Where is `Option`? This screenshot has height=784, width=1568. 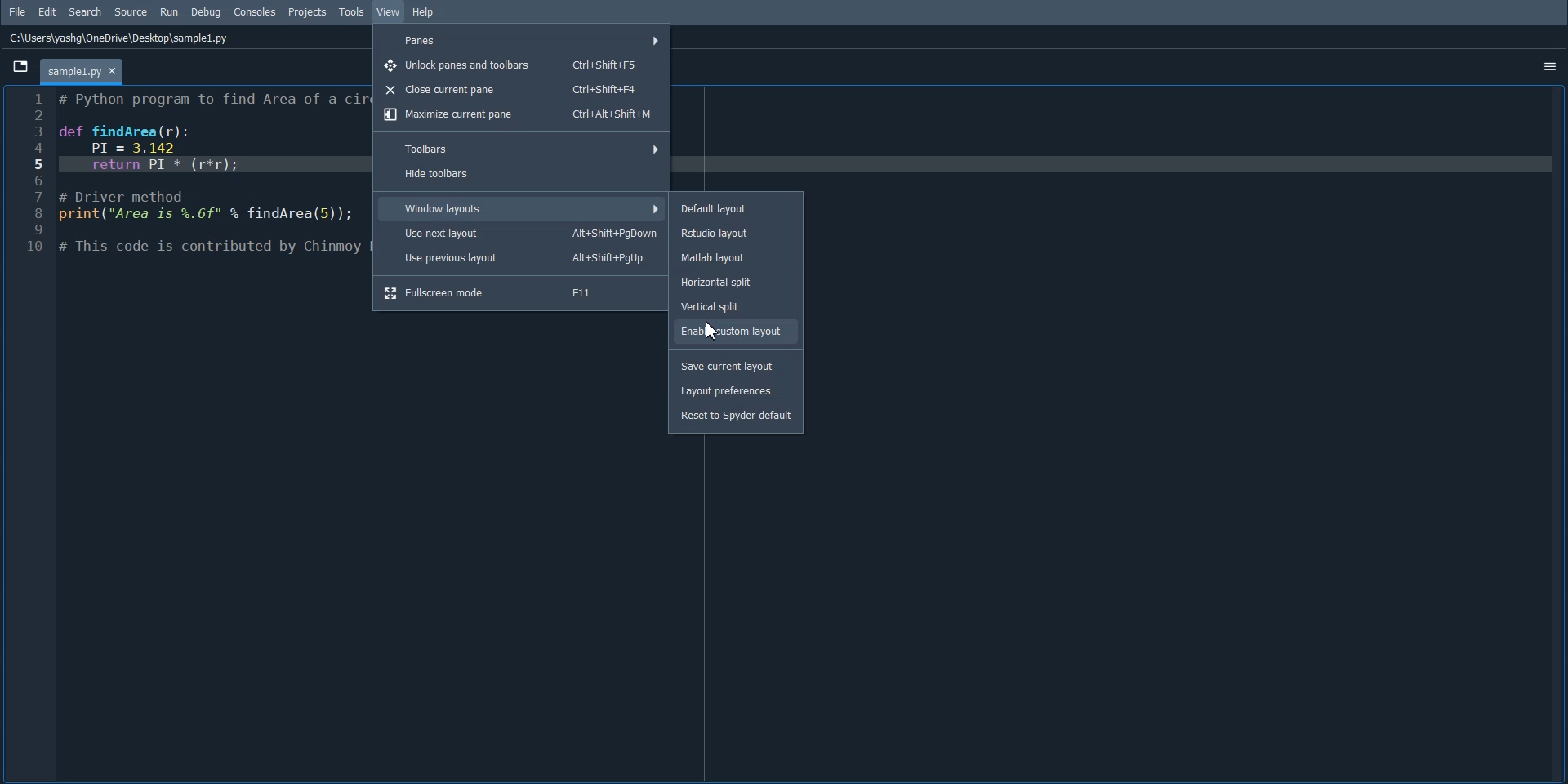 Option is located at coordinates (1550, 65).